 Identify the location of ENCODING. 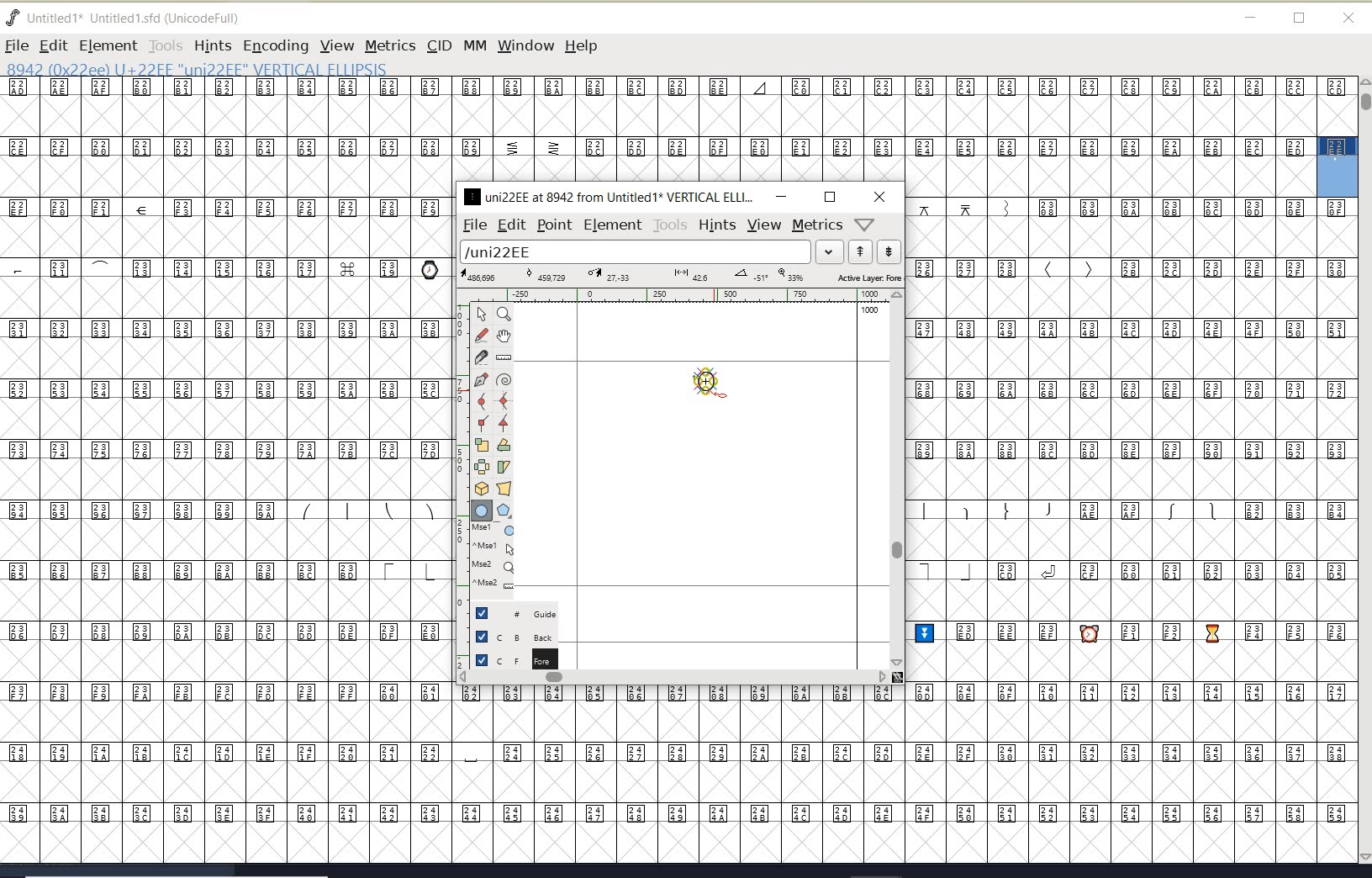
(276, 46).